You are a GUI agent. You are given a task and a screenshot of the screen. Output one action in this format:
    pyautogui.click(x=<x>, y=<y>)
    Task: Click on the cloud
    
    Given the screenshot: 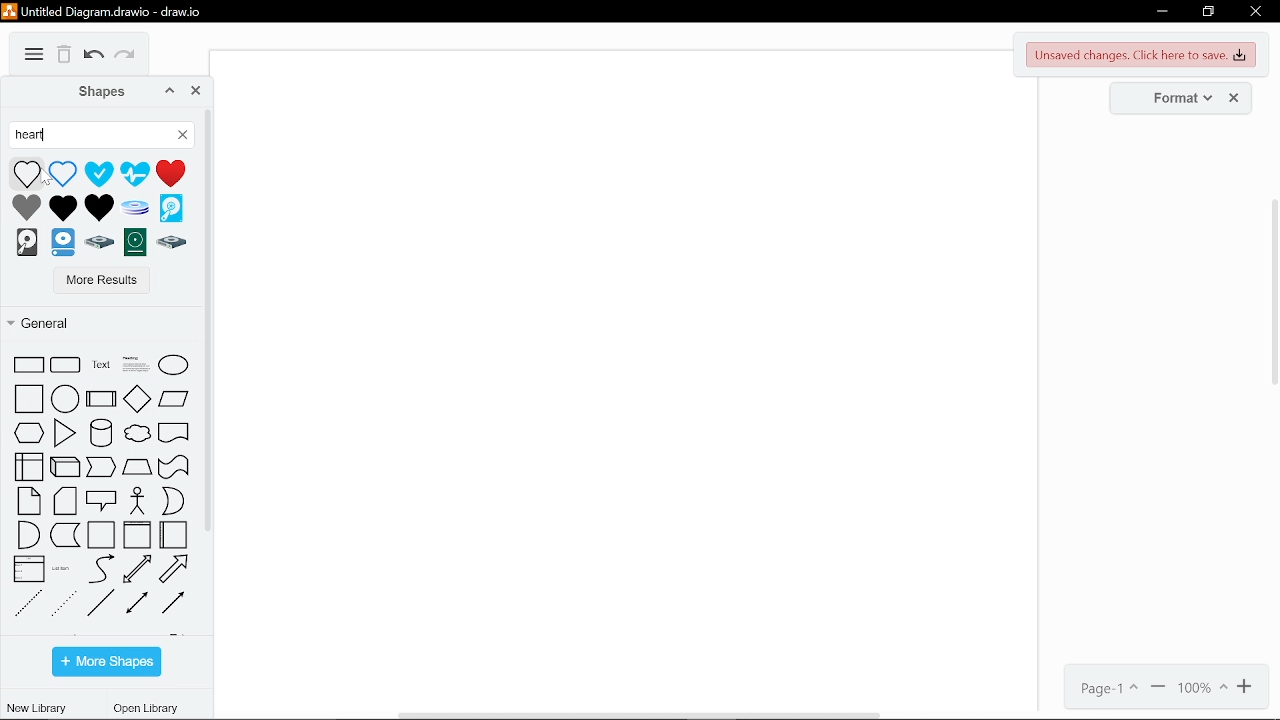 What is the action you would take?
    pyautogui.click(x=138, y=430)
    